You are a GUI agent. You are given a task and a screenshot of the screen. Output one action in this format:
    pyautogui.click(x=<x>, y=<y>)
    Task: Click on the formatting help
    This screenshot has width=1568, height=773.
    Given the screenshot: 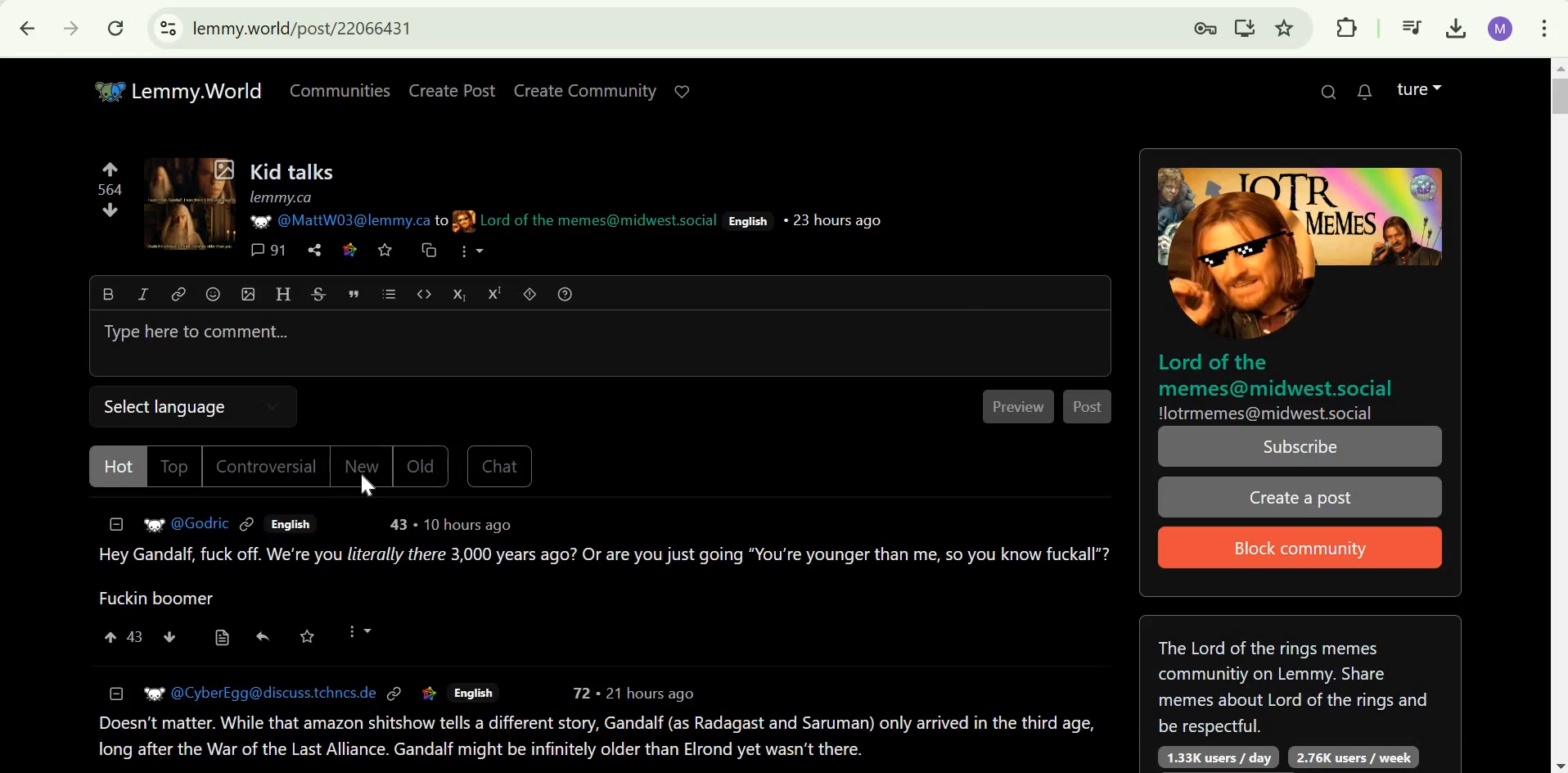 What is the action you would take?
    pyautogui.click(x=565, y=292)
    